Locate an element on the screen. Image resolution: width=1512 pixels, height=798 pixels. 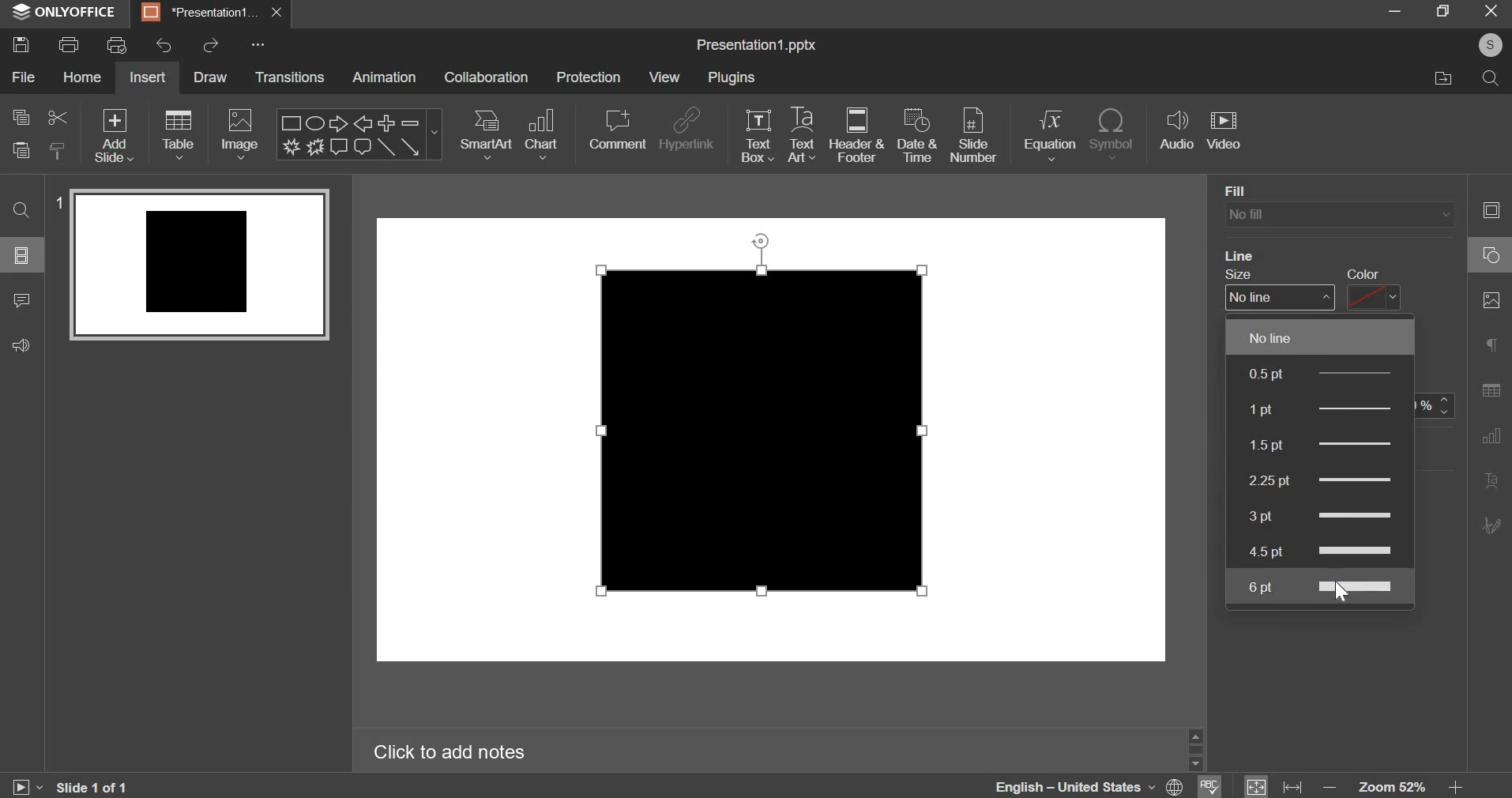
table is located at coordinates (179, 134).